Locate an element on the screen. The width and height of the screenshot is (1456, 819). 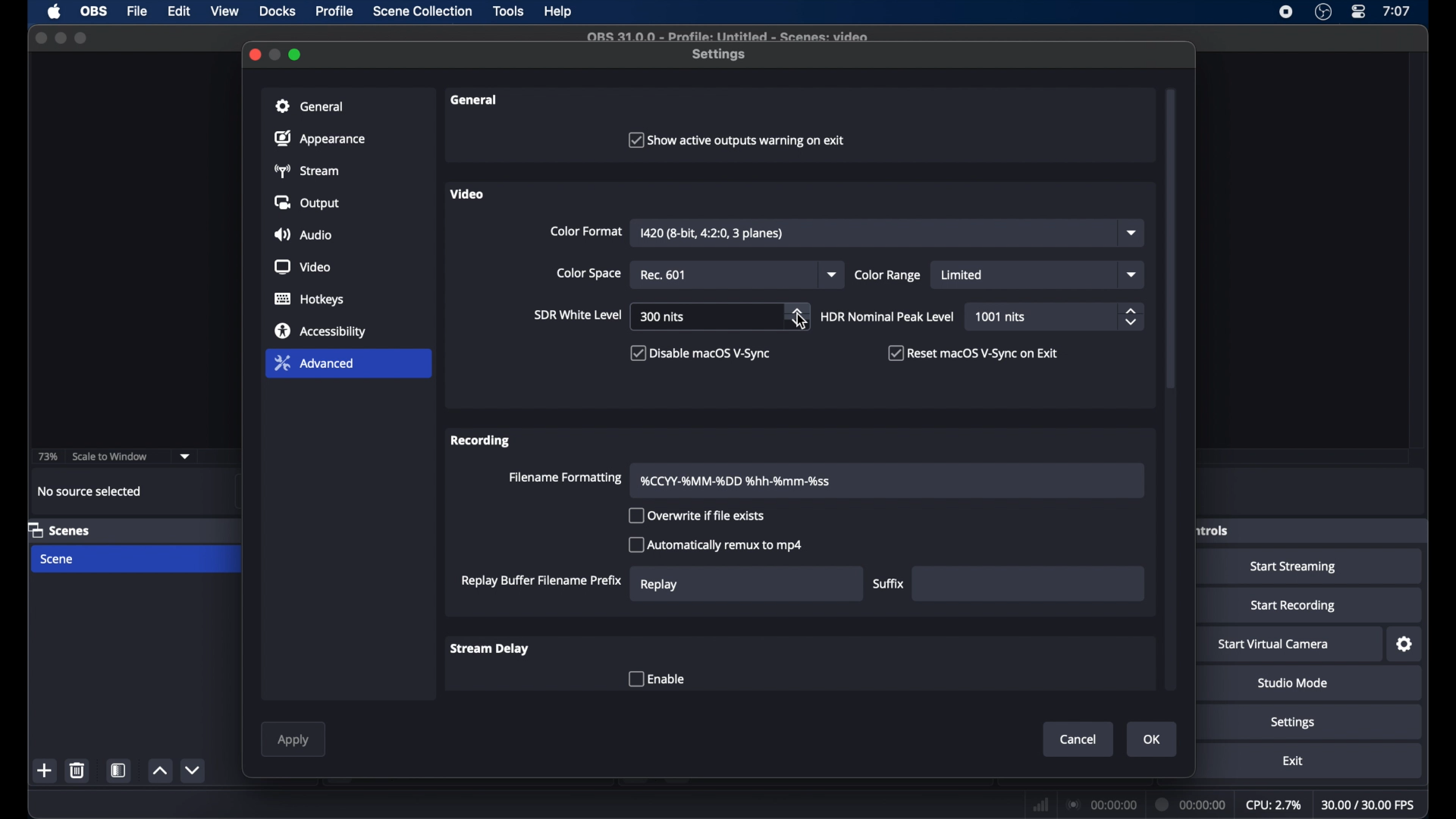
scale to window is located at coordinates (112, 457).